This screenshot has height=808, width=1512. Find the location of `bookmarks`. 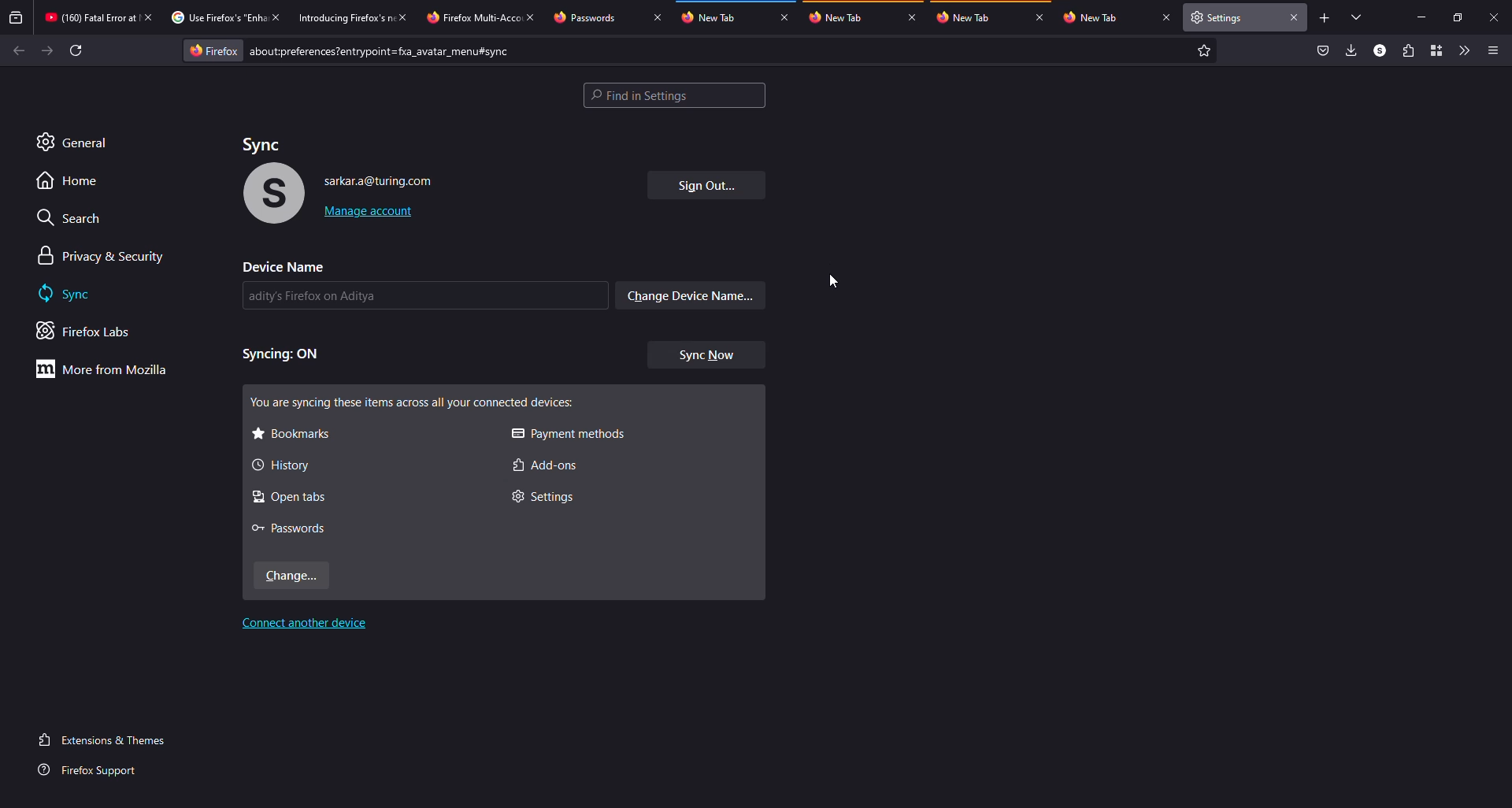

bookmarks is located at coordinates (291, 435).